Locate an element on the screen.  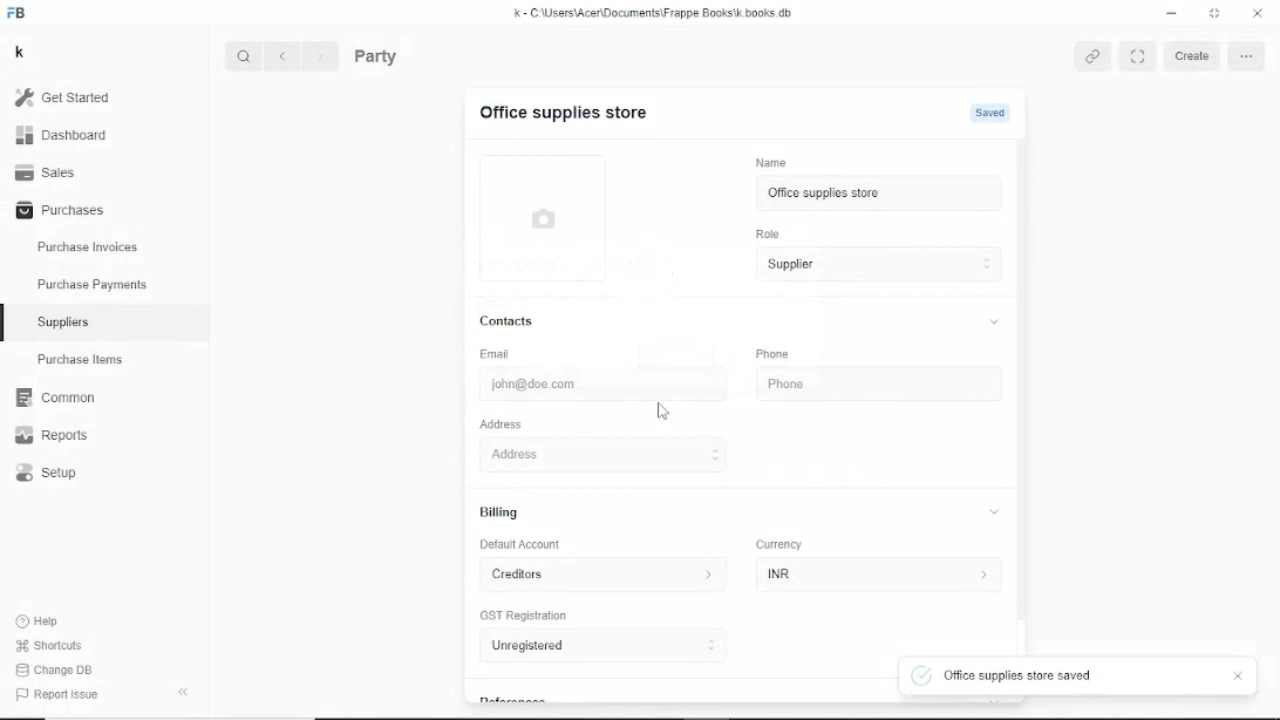
Phone is located at coordinates (864, 387).